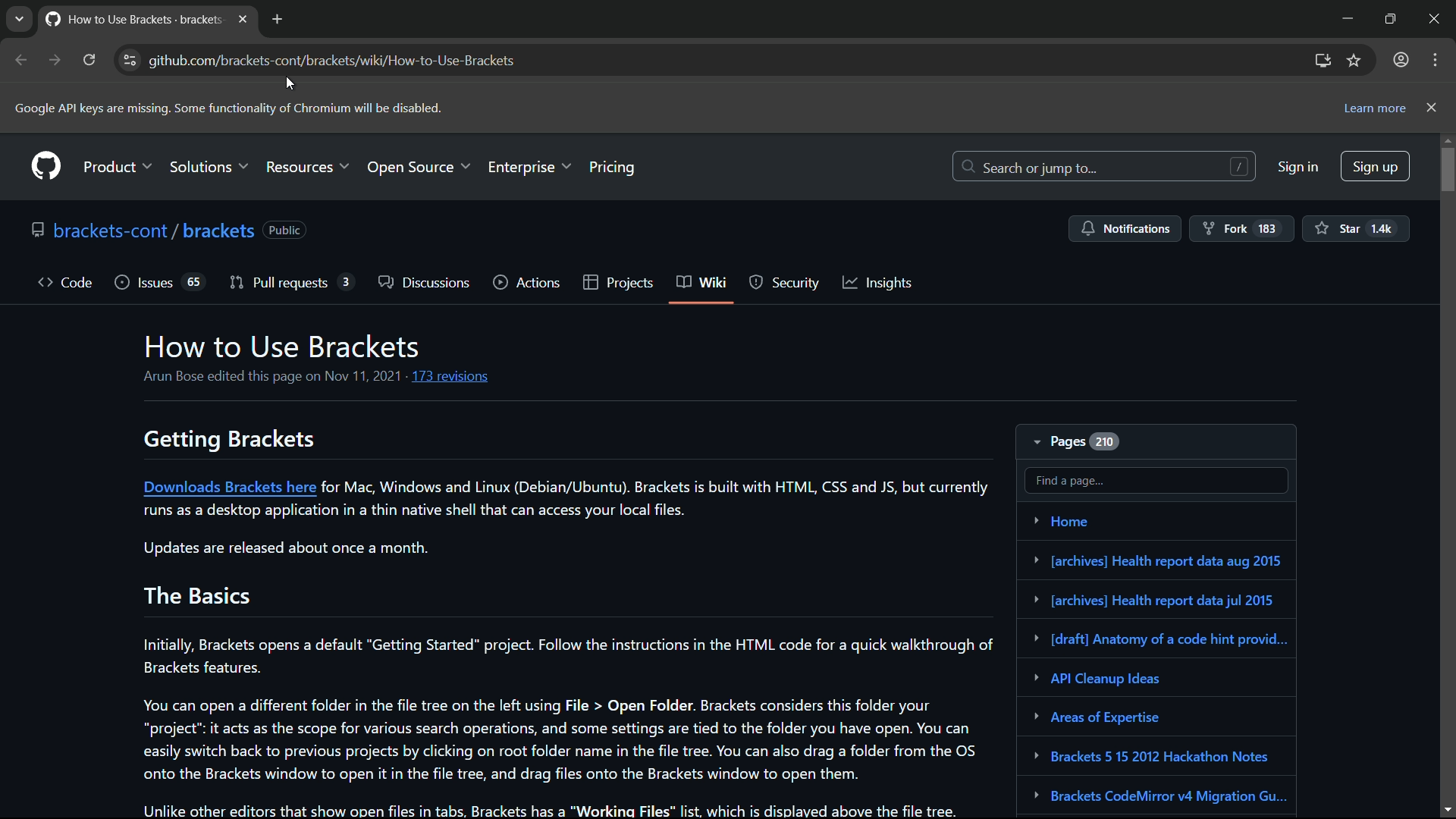 The width and height of the screenshot is (1456, 819). I want to click on pricing, so click(612, 168).